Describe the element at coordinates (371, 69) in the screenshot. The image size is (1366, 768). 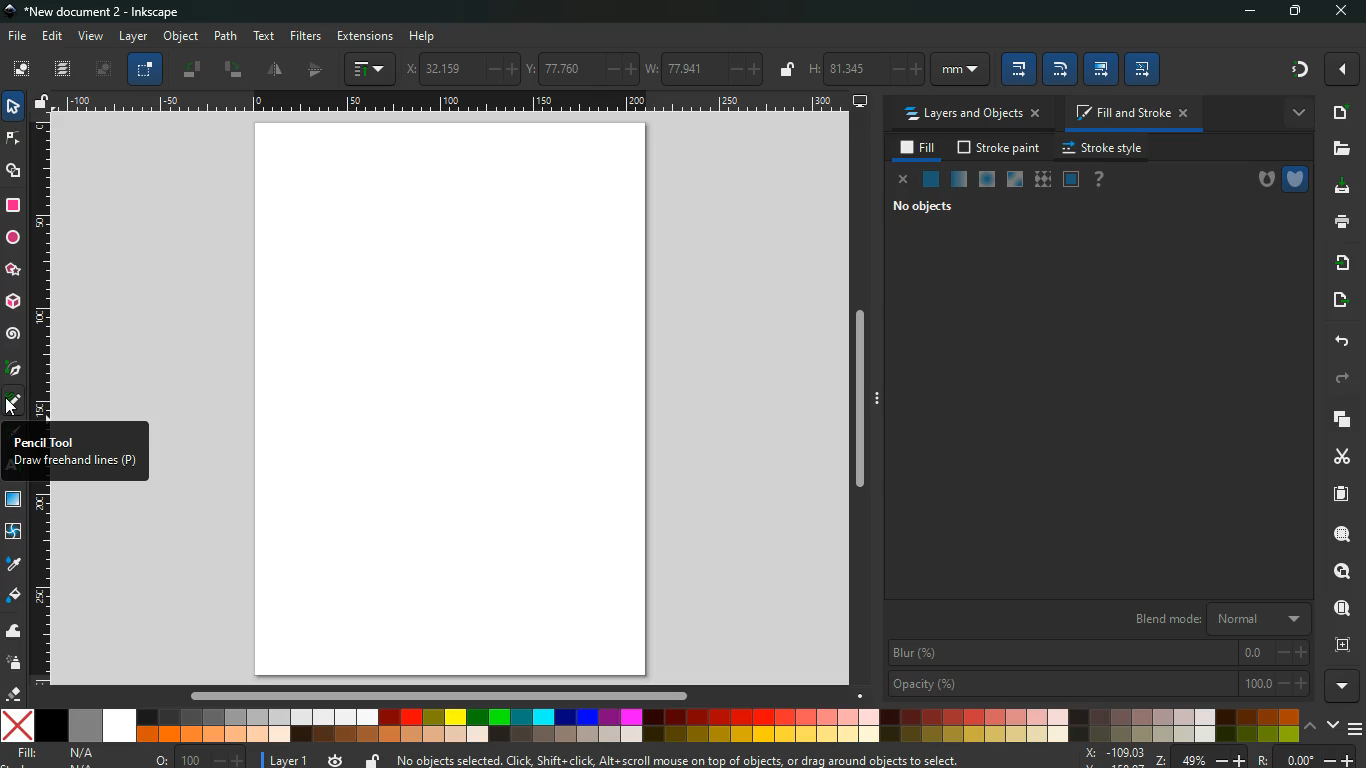
I see `graph` at that location.